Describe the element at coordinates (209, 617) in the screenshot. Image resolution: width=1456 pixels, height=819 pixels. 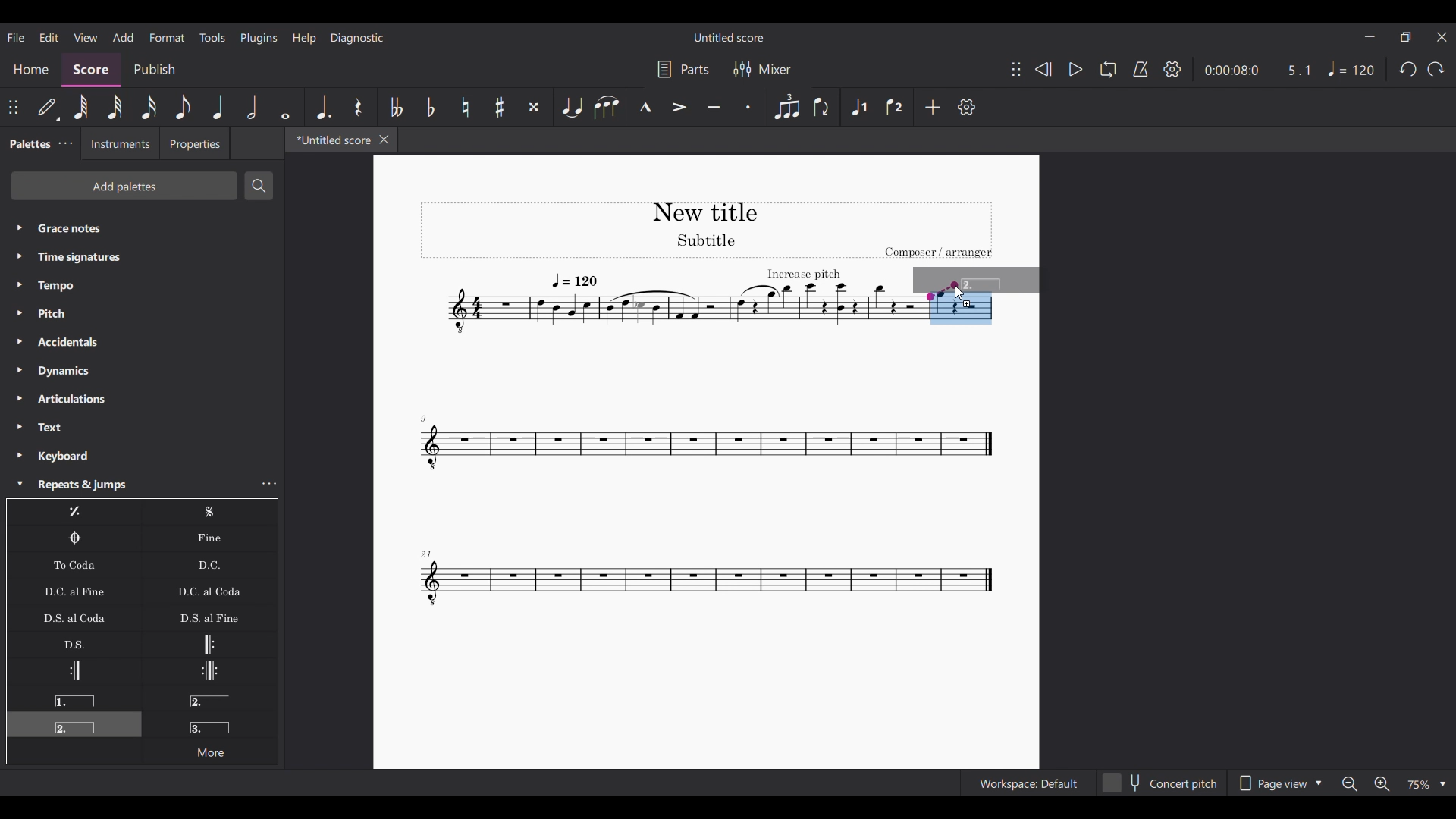
I see `D.S. al Fine` at that location.